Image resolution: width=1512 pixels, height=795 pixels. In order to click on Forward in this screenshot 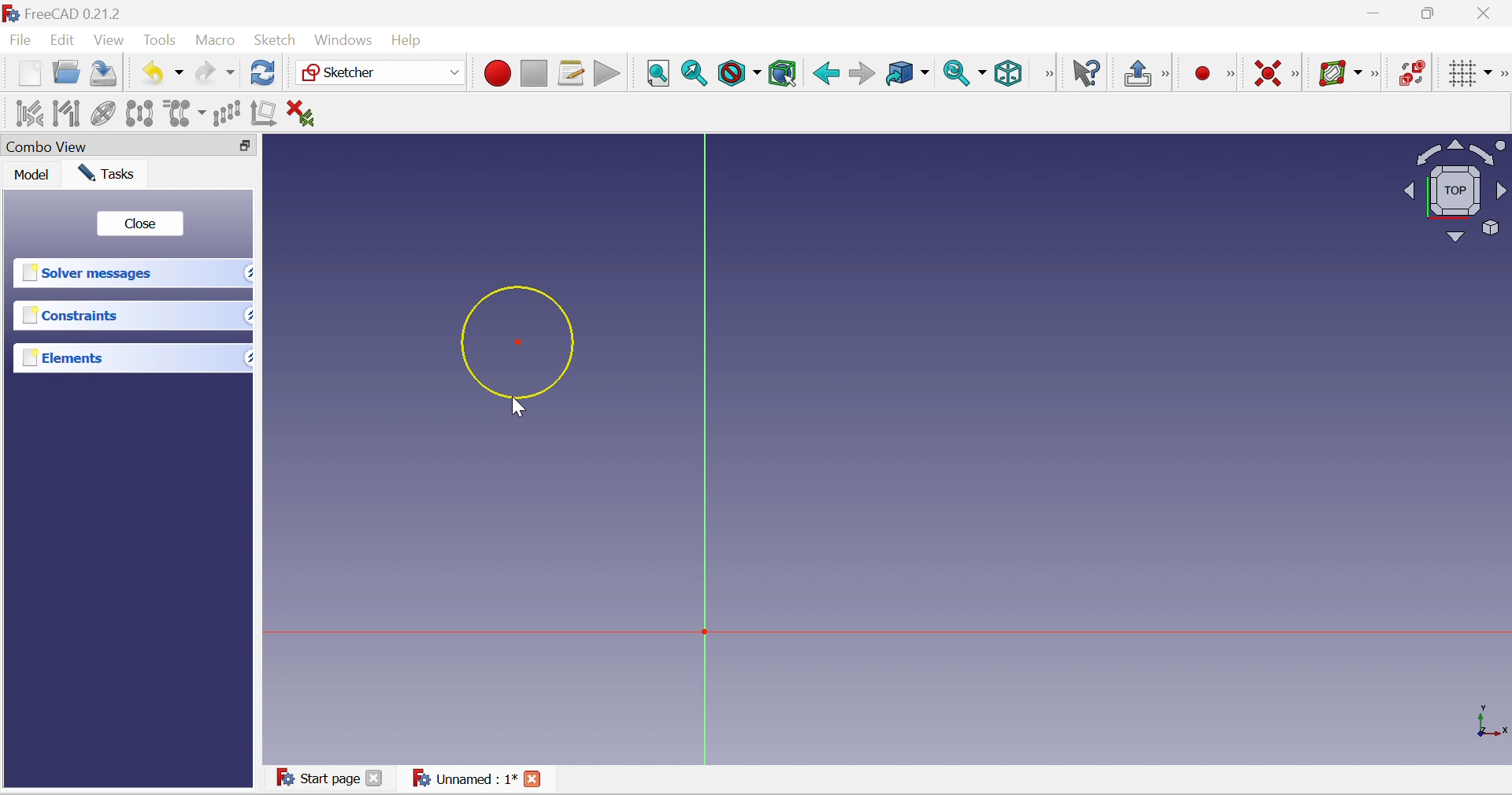, I will do `click(861, 73)`.